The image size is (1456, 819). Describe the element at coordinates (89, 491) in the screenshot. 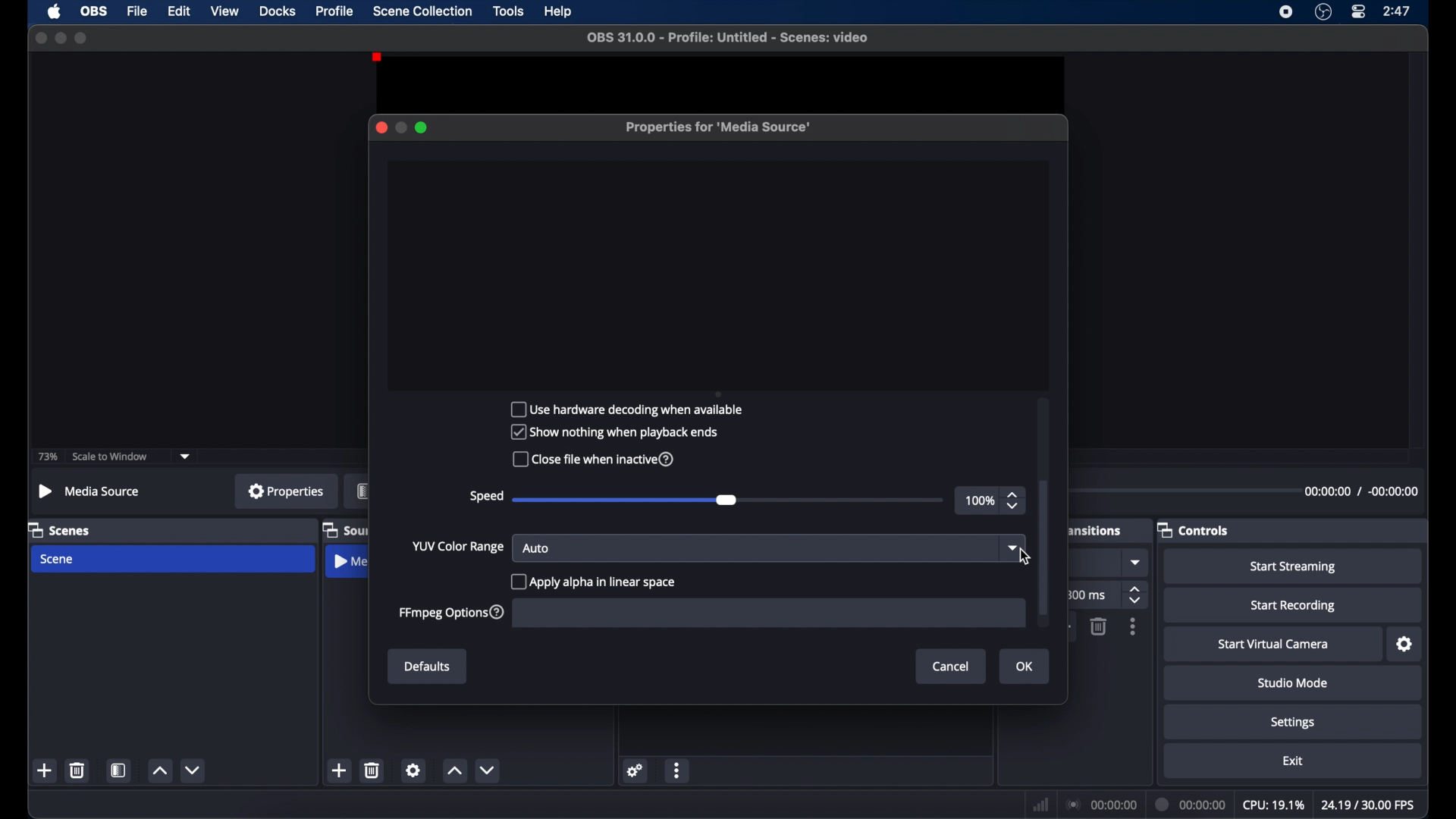

I see `no source selected` at that location.